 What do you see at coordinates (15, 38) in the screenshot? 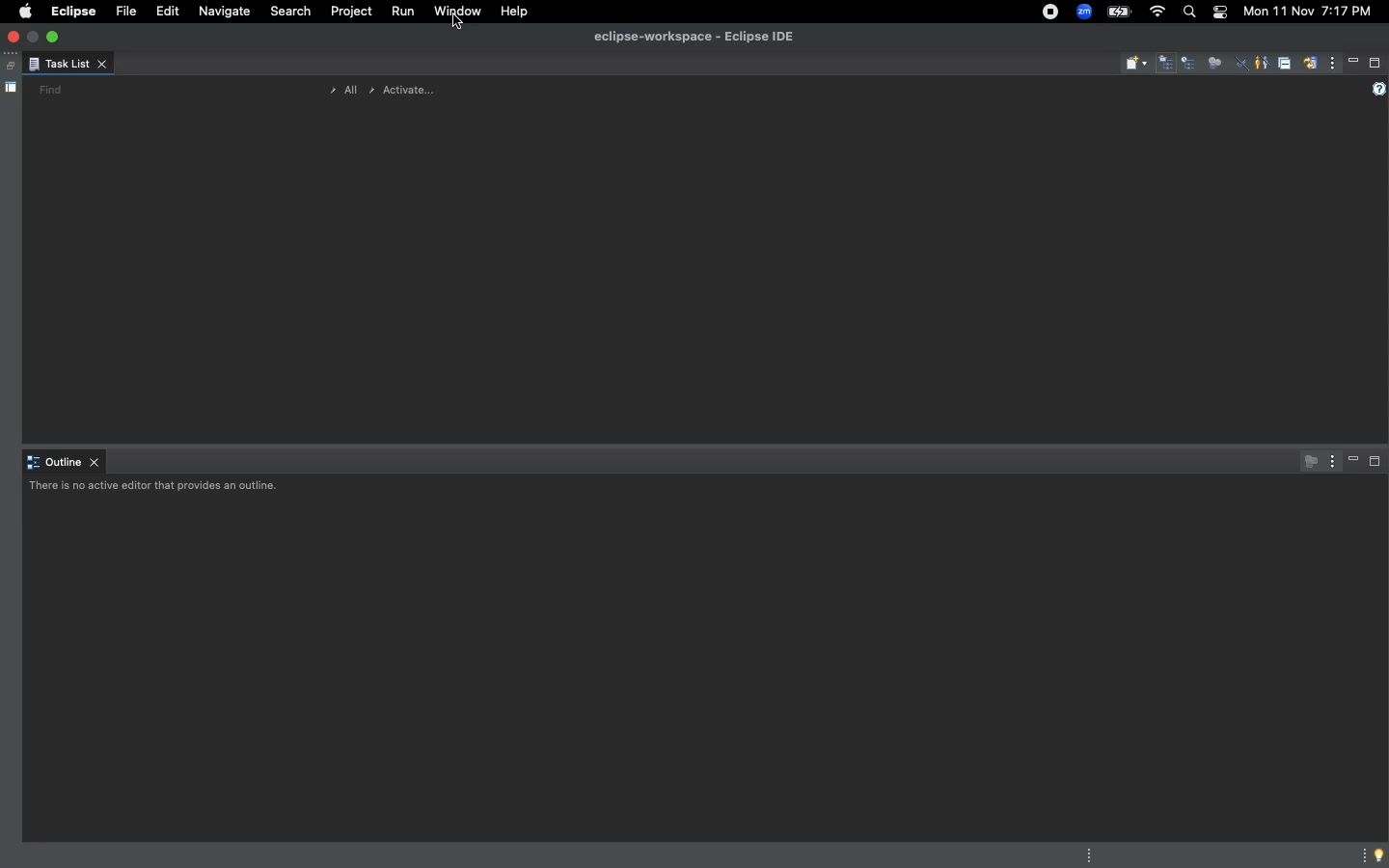
I see `close` at bounding box center [15, 38].